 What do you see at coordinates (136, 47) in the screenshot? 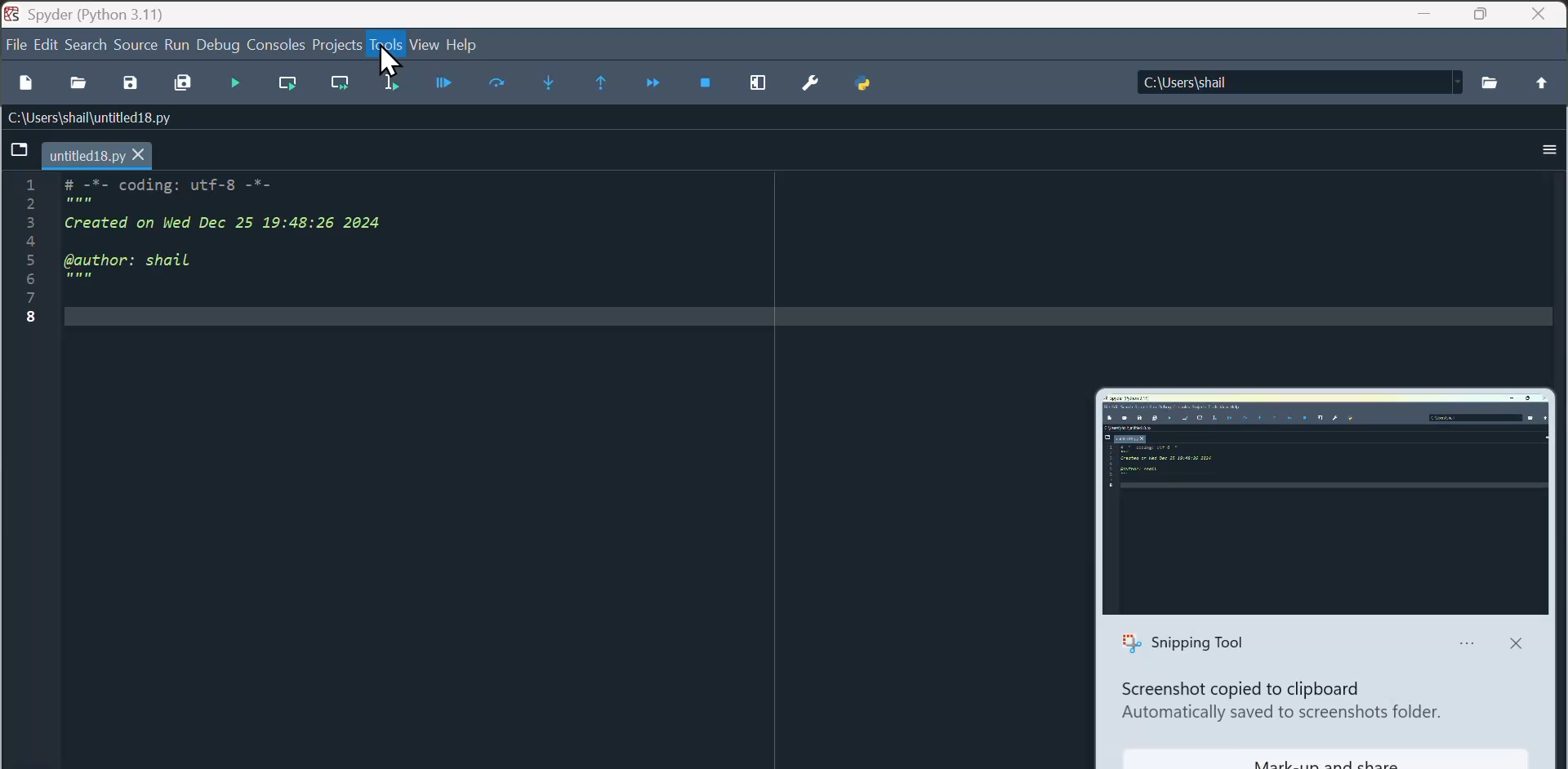
I see `Source` at bounding box center [136, 47].